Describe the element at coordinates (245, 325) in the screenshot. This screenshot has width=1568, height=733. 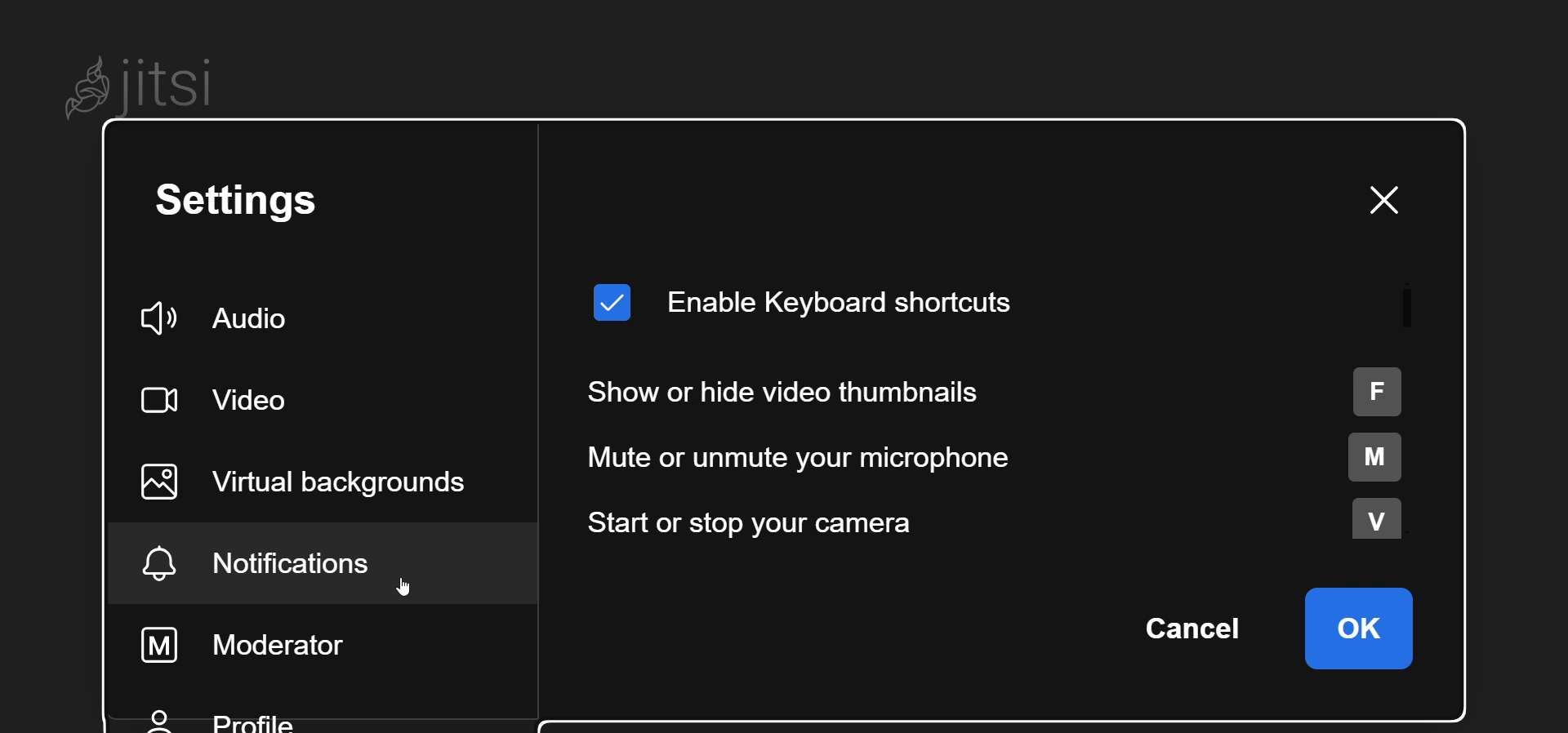
I see `audio` at that location.